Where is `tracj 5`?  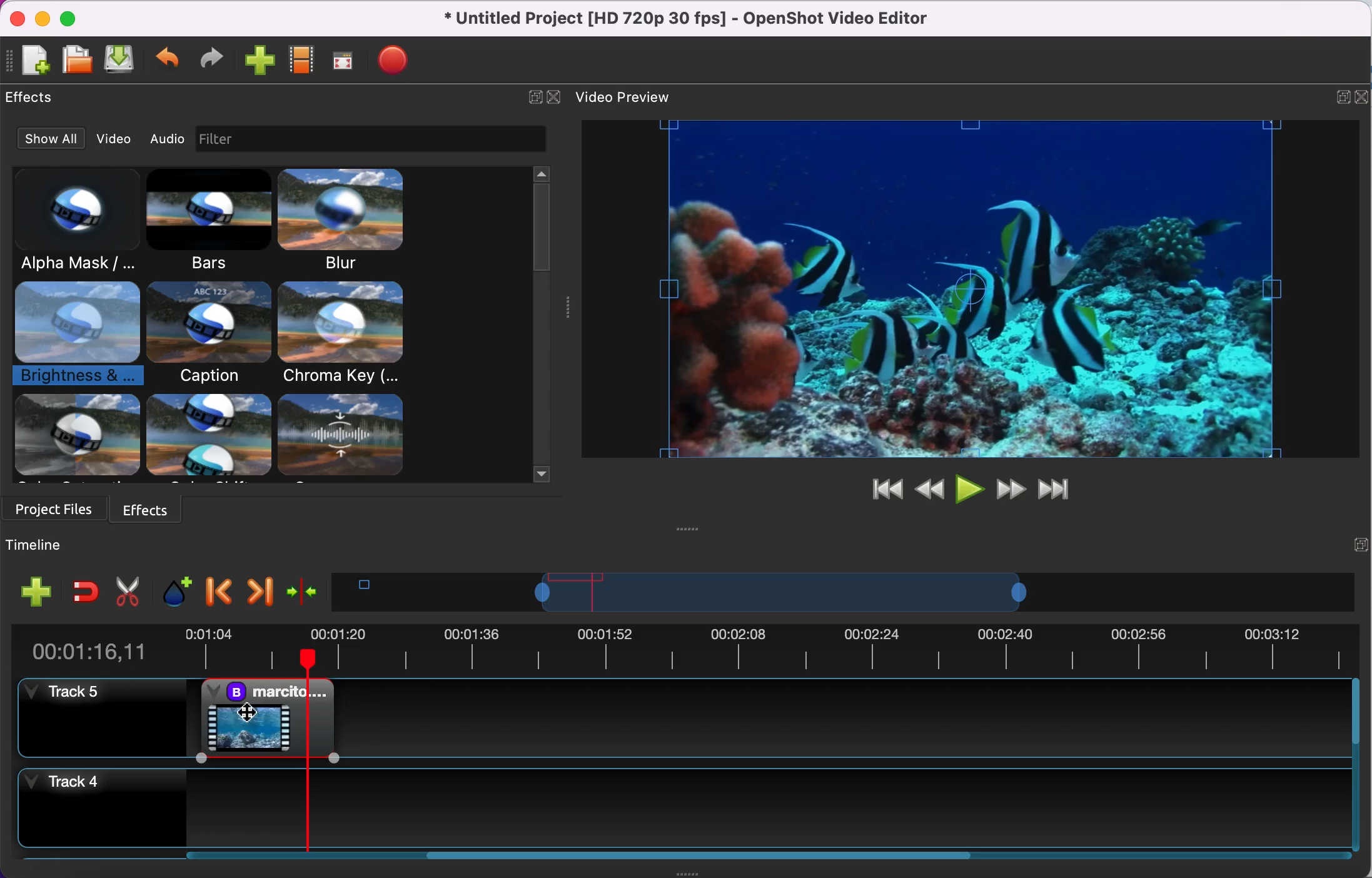 tracj 5 is located at coordinates (100, 719).